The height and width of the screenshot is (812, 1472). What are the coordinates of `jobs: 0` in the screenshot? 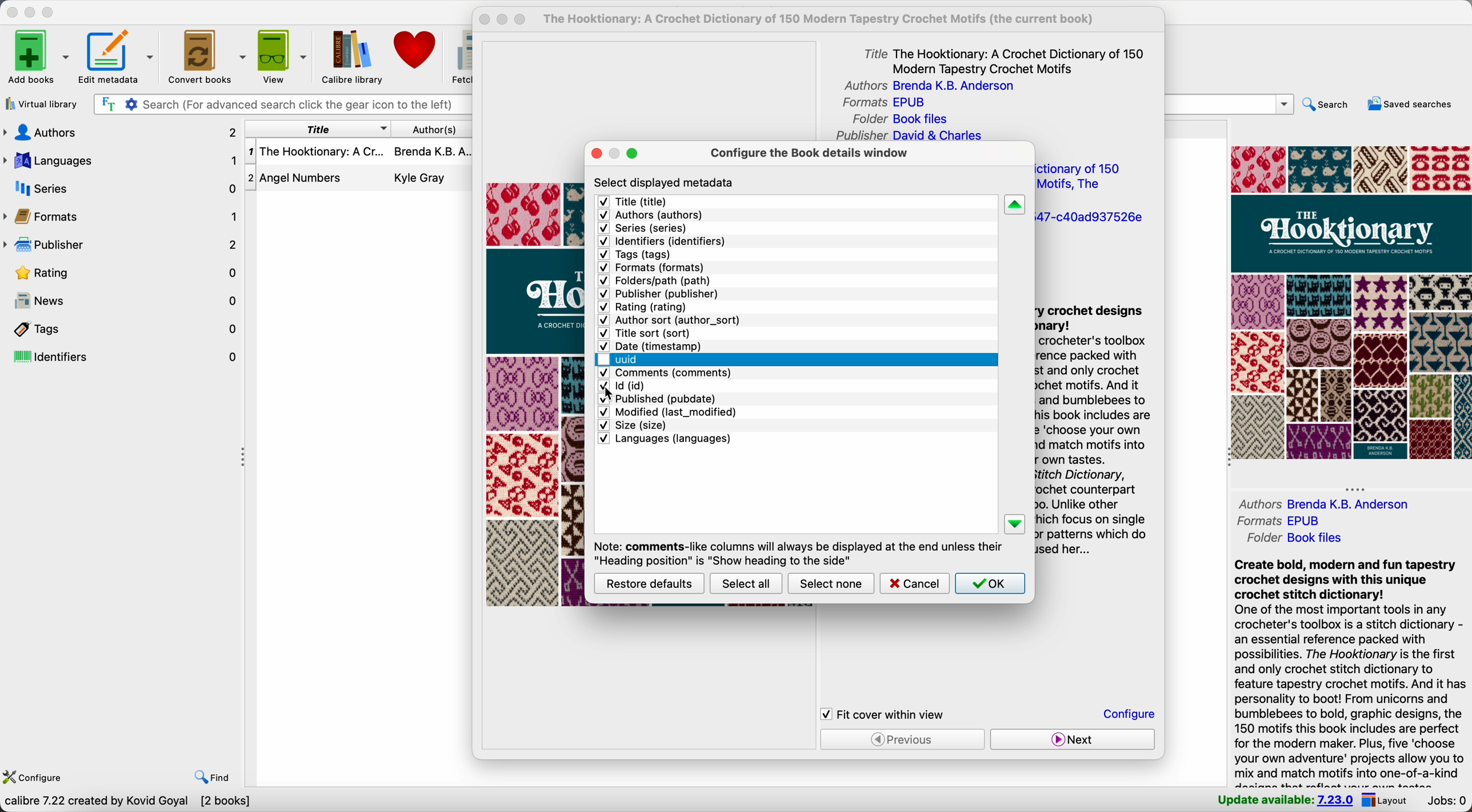 It's located at (1445, 801).